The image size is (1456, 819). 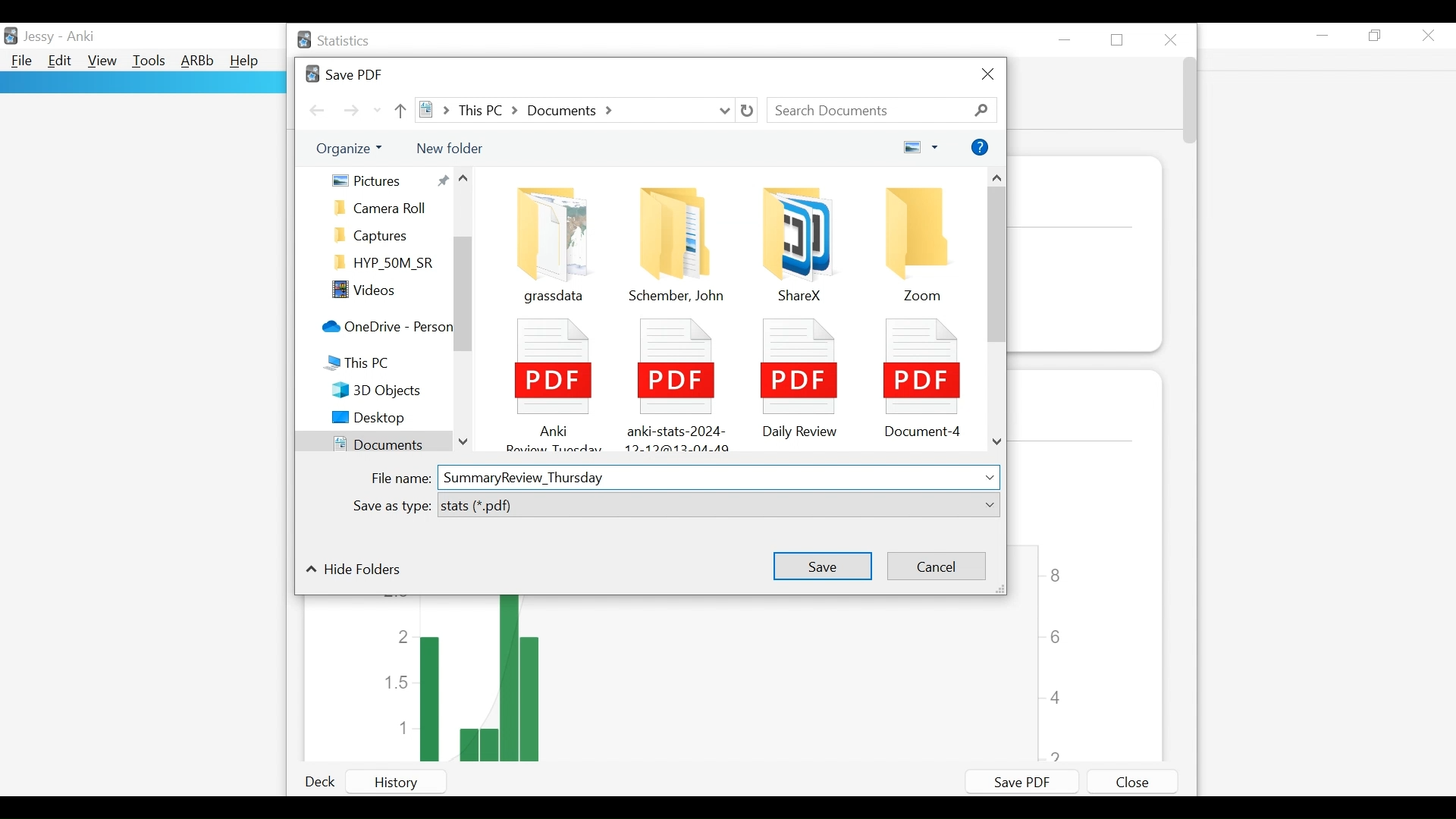 What do you see at coordinates (385, 291) in the screenshot?
I see `Video` at bounding box center [385, 291].